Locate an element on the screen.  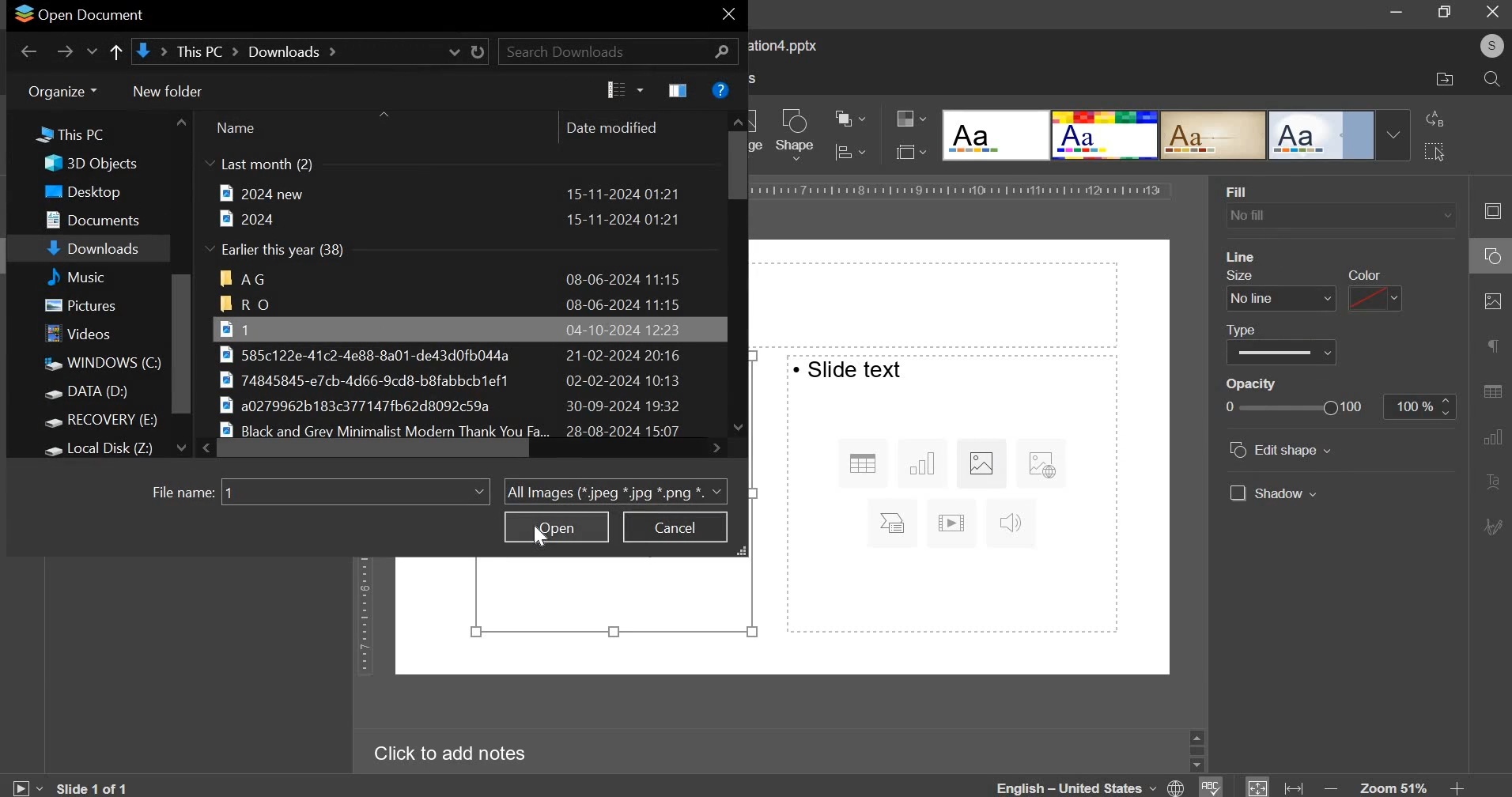
select slide size is located at coordinates (907, 151).